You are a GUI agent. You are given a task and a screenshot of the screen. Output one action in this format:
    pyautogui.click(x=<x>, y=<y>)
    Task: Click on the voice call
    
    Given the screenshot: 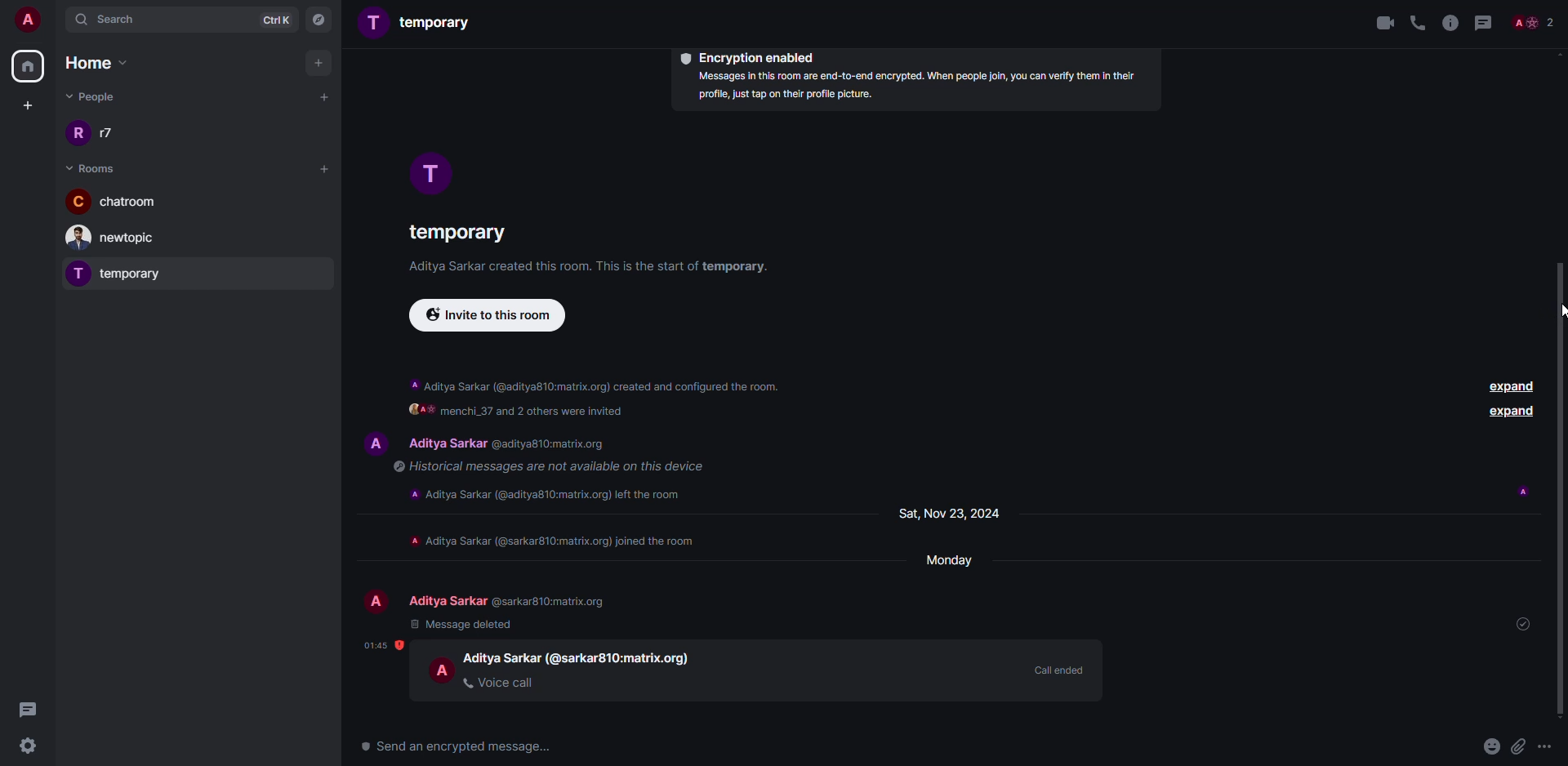 What is the action you would take?
    pyautogui.click(x=1416, y=22)
    